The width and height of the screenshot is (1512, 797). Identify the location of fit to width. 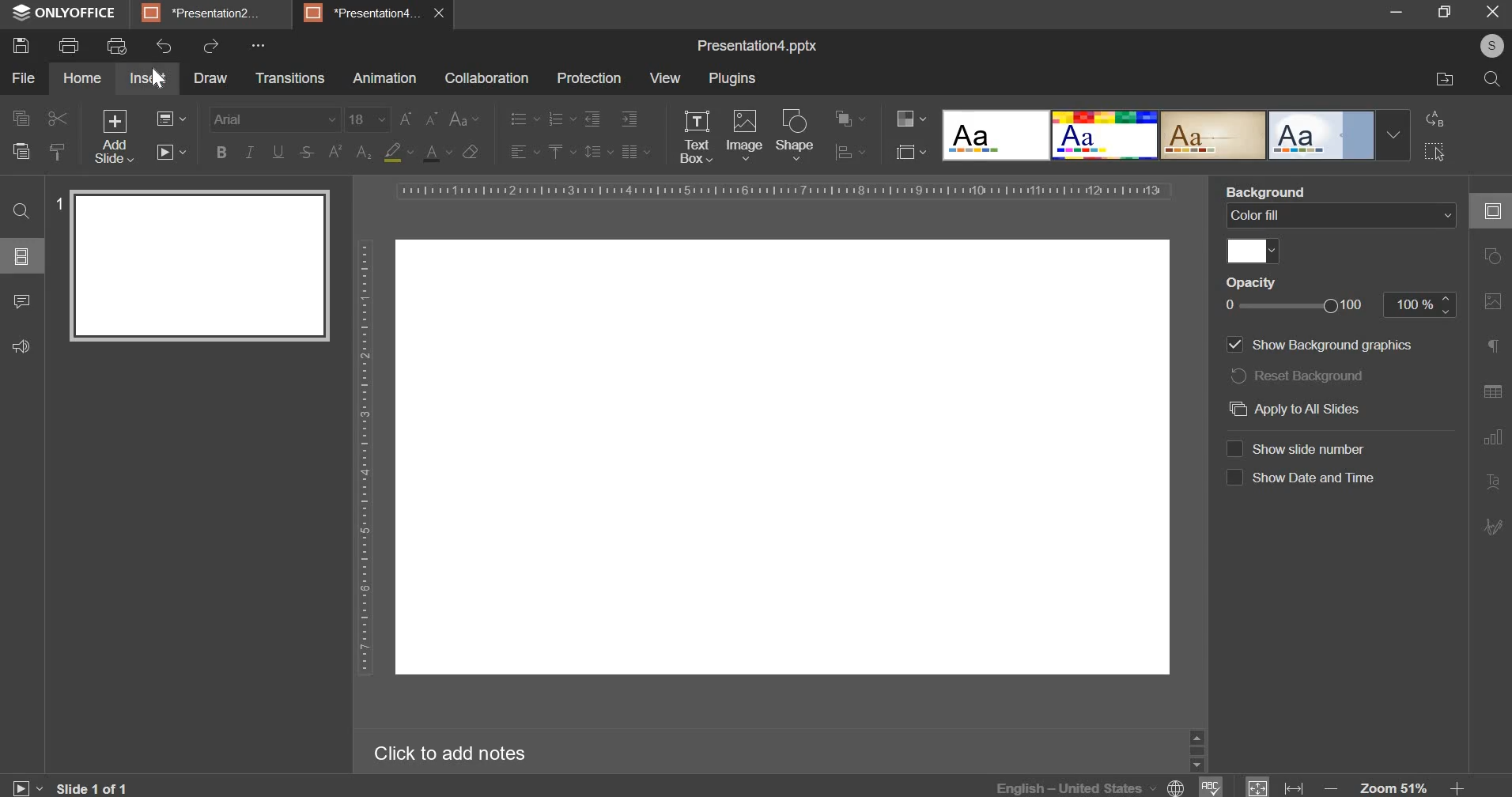
(1295, 786).